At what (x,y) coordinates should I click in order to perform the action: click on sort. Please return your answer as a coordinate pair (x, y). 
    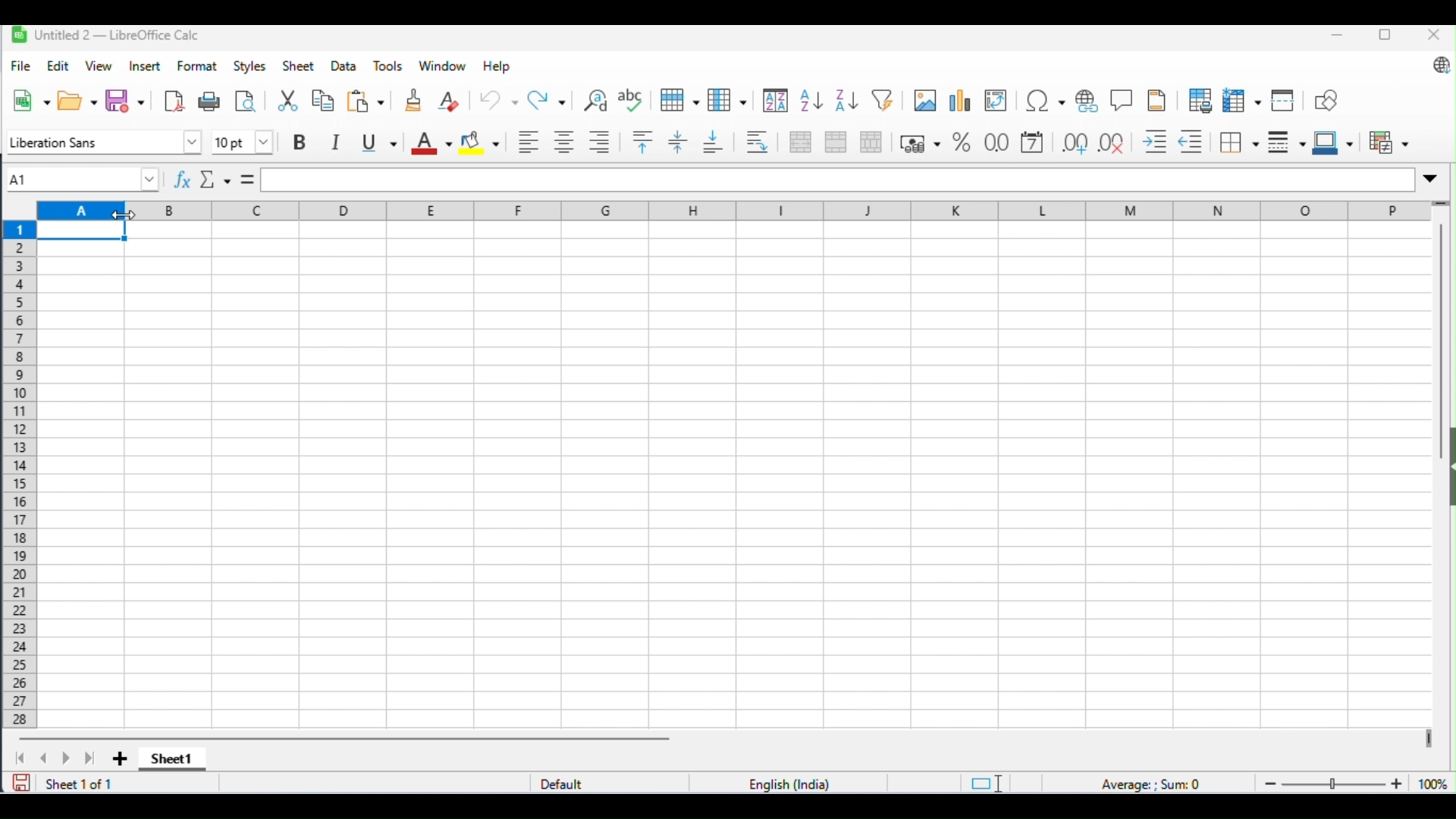
    Looking at the image, I should click on (774, 101).